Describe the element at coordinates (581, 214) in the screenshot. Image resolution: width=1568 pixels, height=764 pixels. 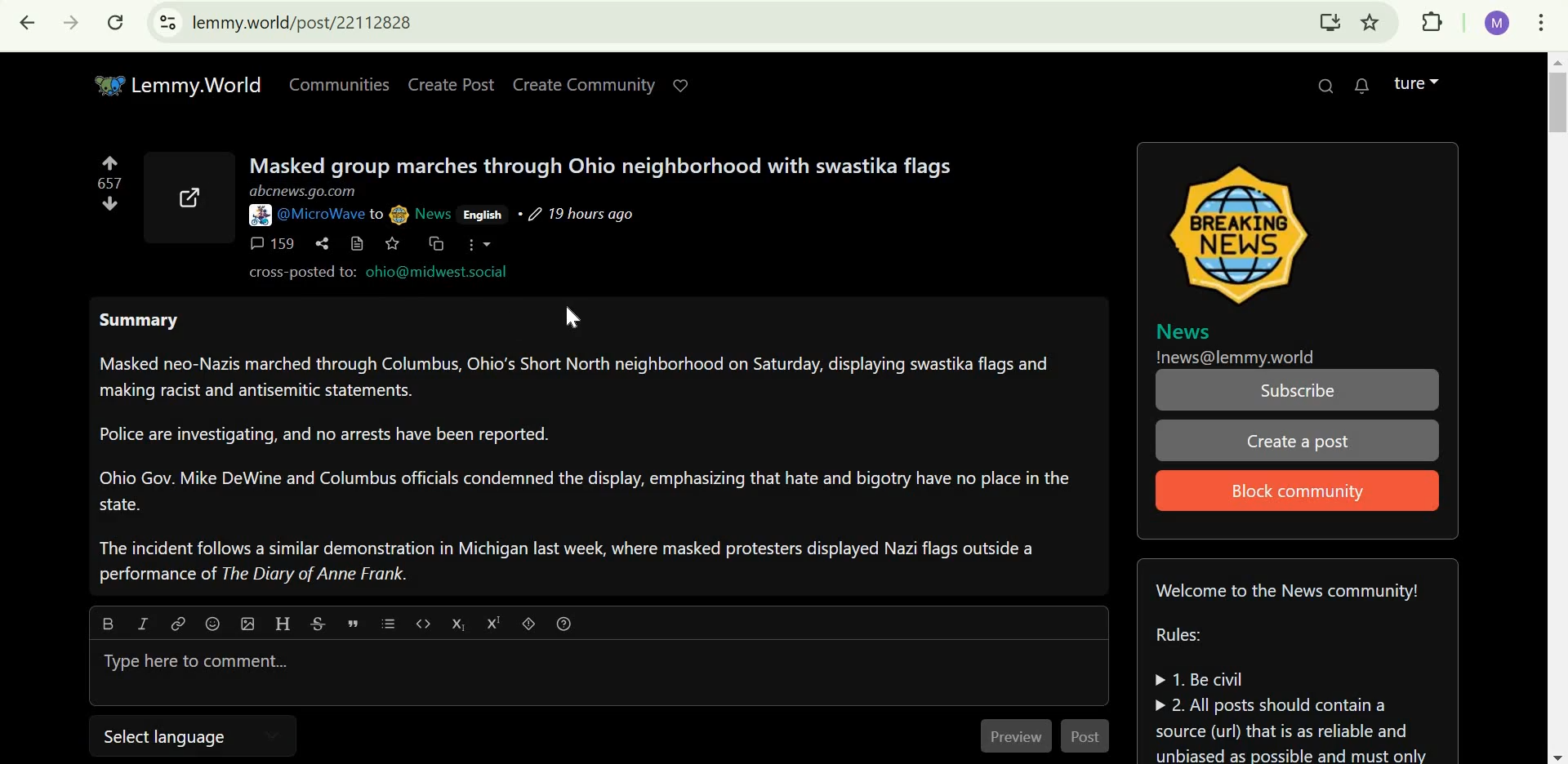
I see `19 hours ago` at that location.